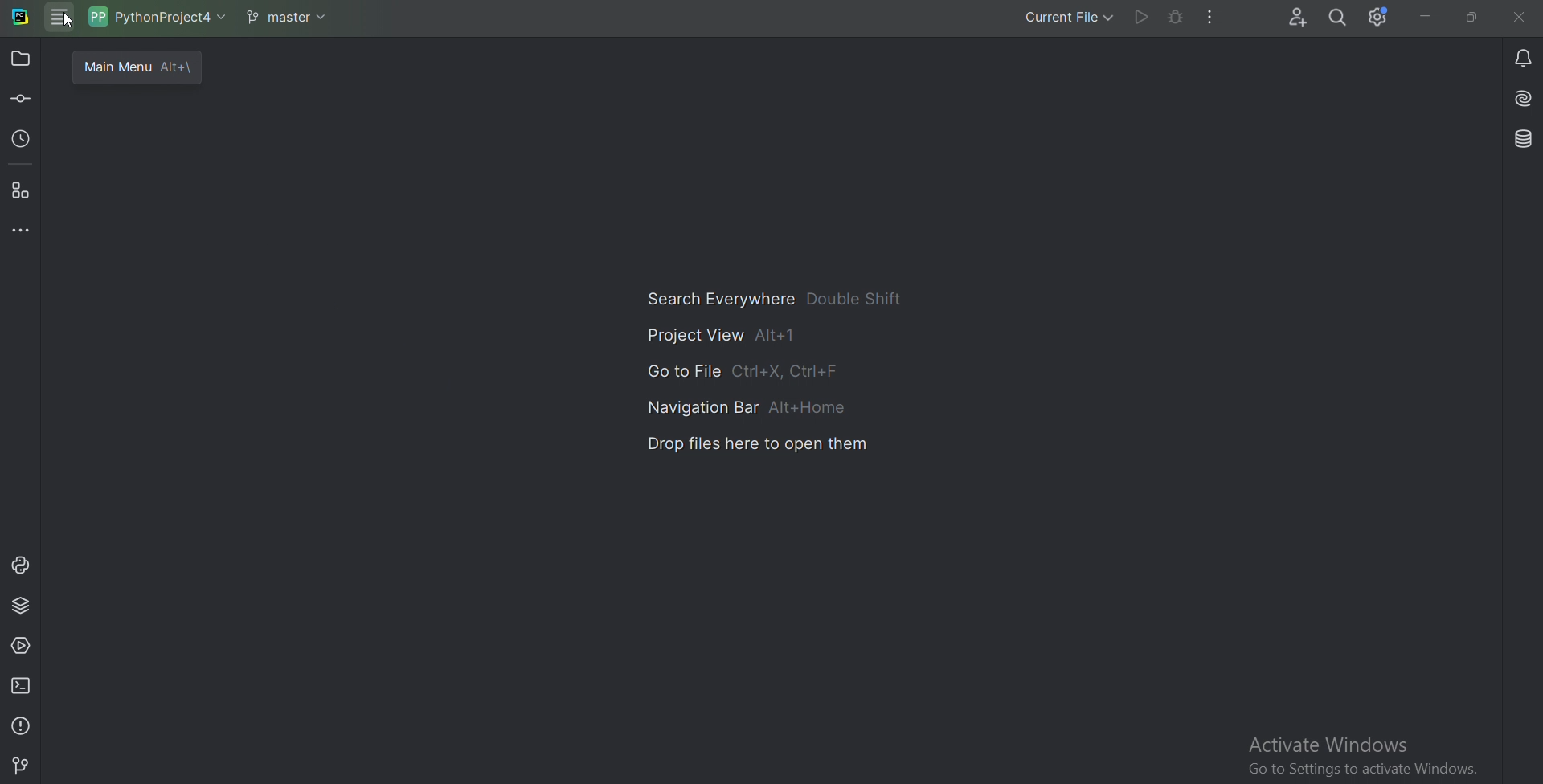 The width and height of the screenshot is (1543, 784). What do you see at coordinates (23, 606) in the screenshot?
I see `Python package` at bounding box center [23, 606].